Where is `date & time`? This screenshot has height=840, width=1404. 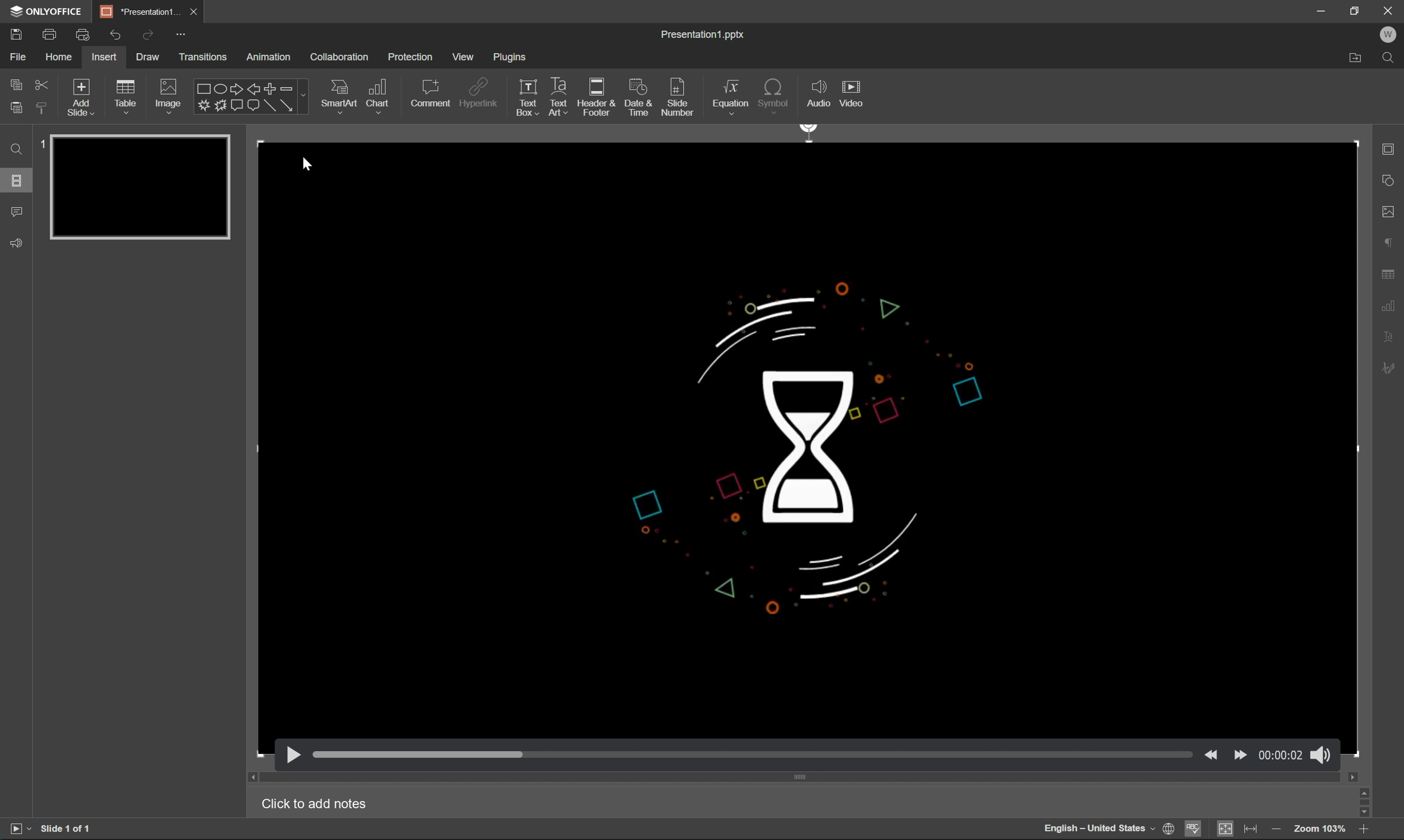 date & time is located at coordinates (638, 98).